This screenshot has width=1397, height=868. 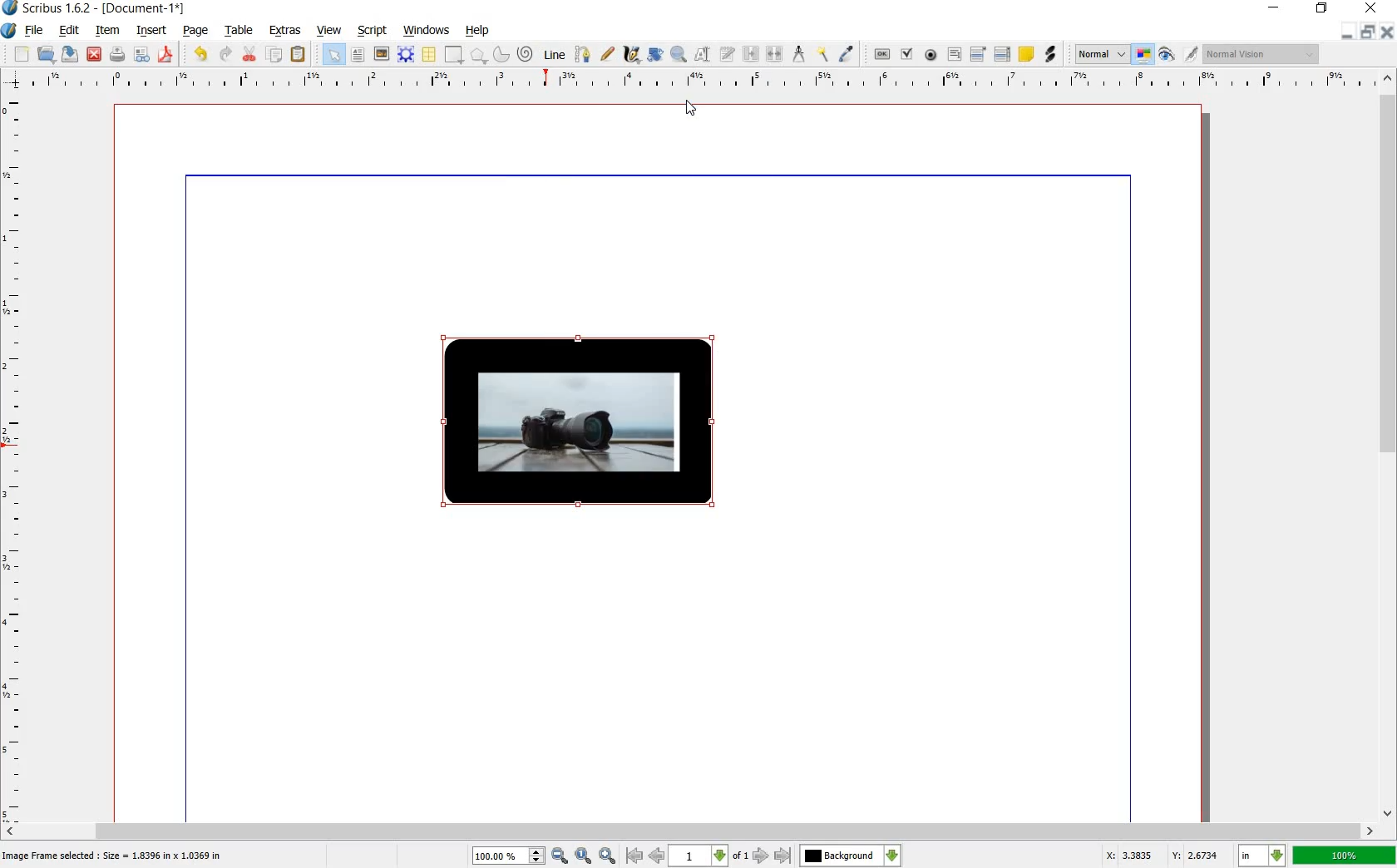 What do you see at coordinates (932, 55) in the screenshot?
I see `pdf radio button` at bounding box center [932, 55].